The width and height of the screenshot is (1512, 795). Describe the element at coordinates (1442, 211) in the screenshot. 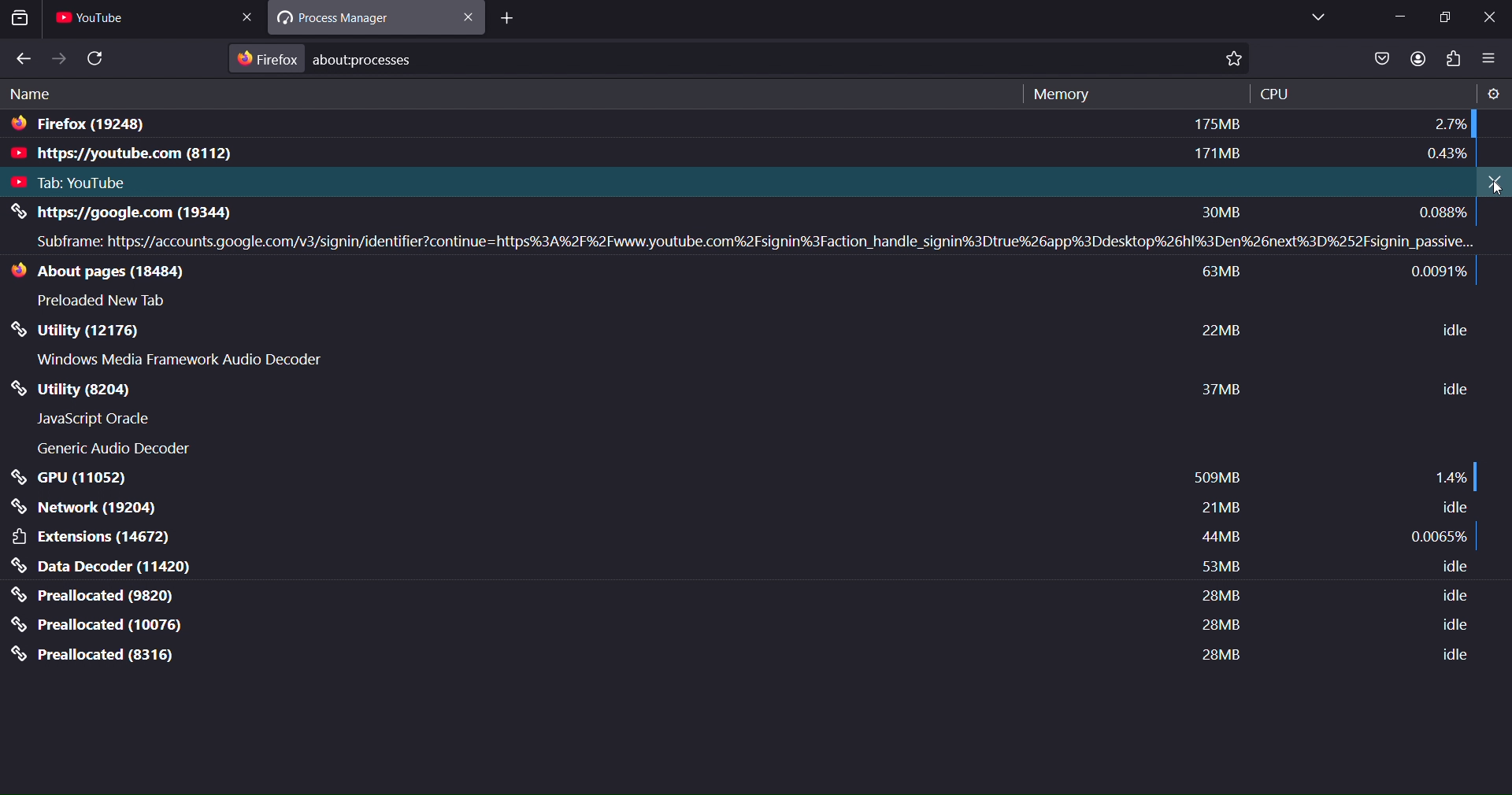

I see `0.088%` at that location.